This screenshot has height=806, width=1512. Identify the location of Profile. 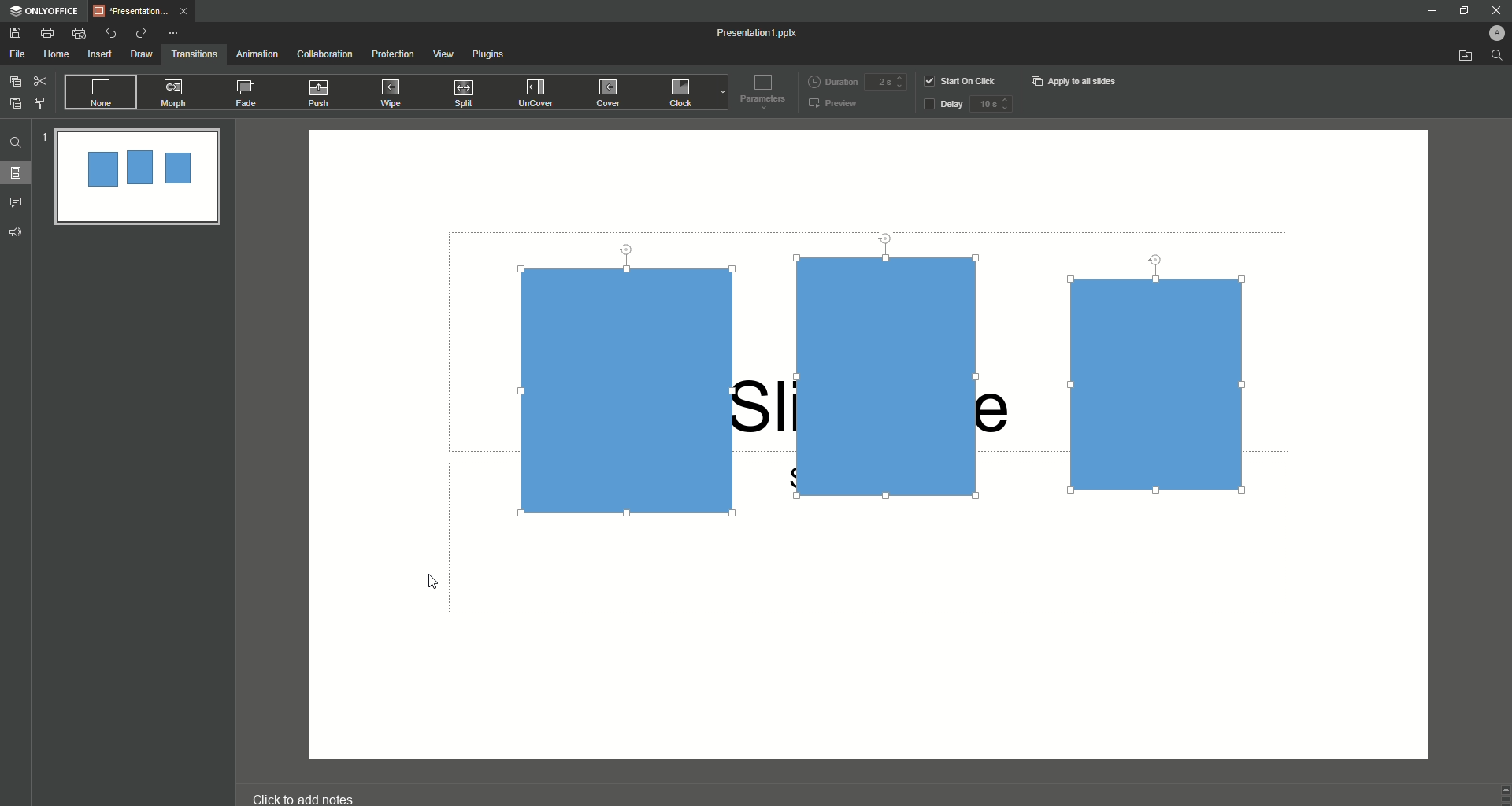
(1489, 31).